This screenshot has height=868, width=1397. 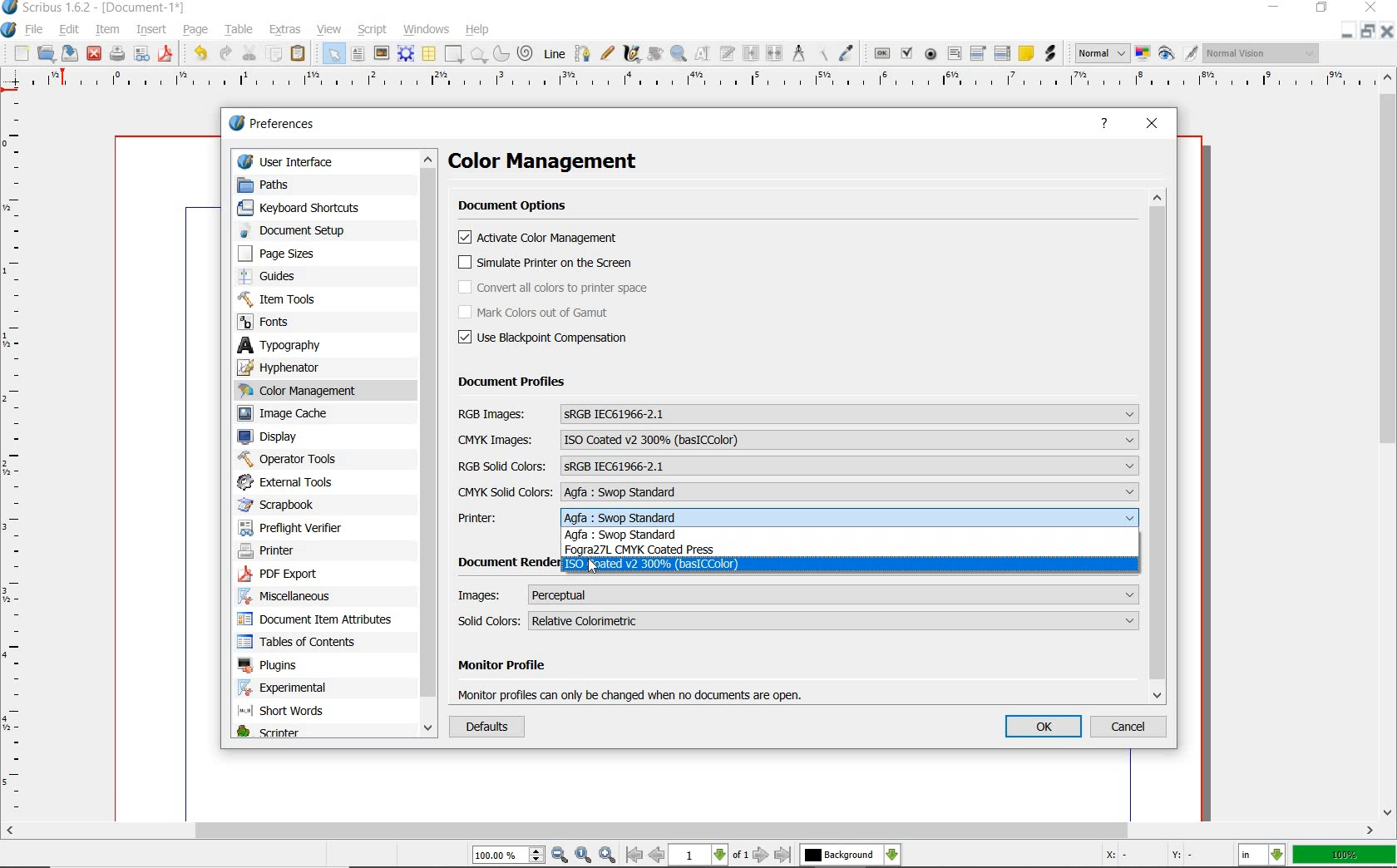 I want to click on preferences, so click(x=277, y=126).